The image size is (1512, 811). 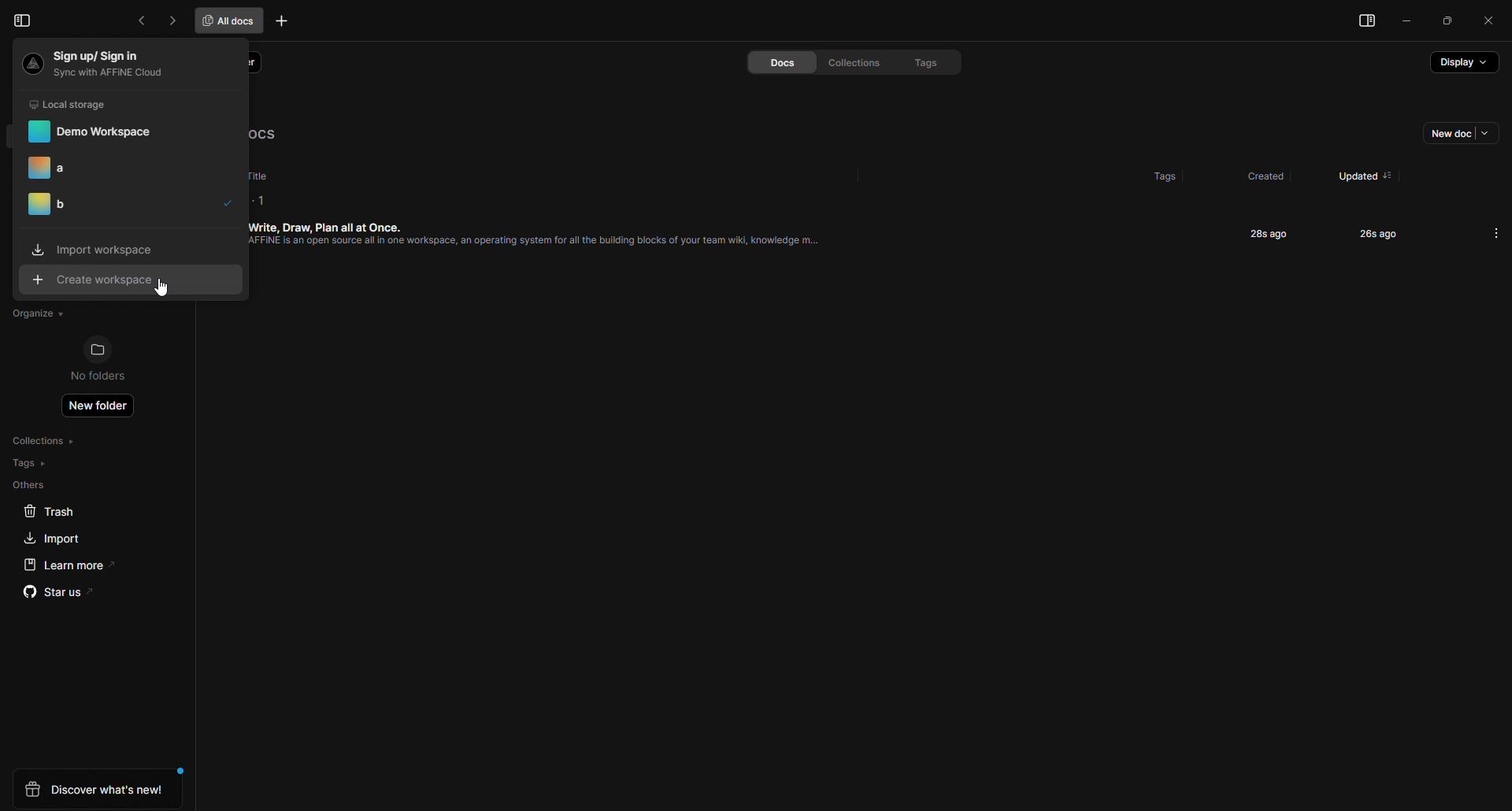 I want to click on collections, so click(x=48, y=441).